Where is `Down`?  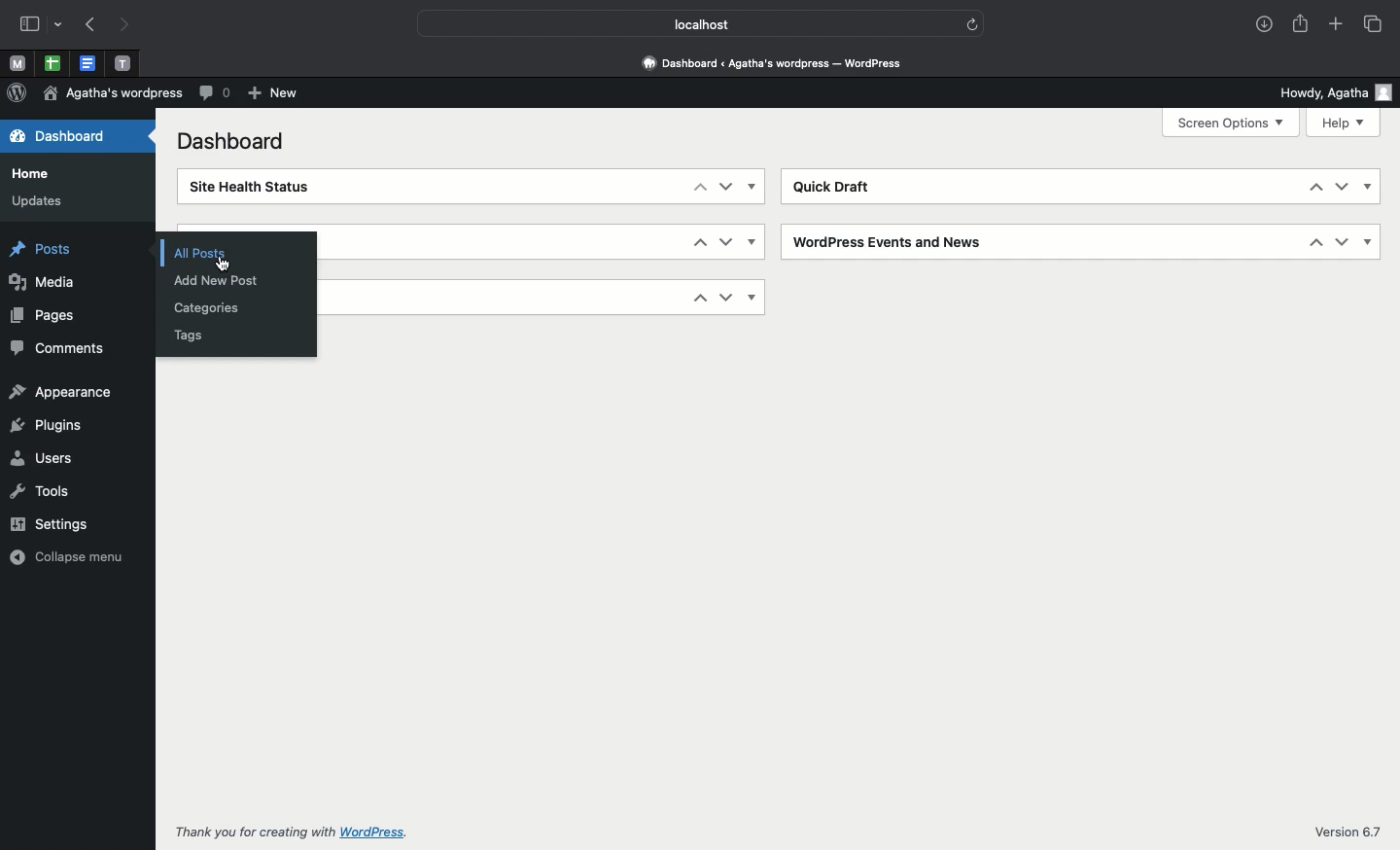 Down is located at coordinates (726, 188).